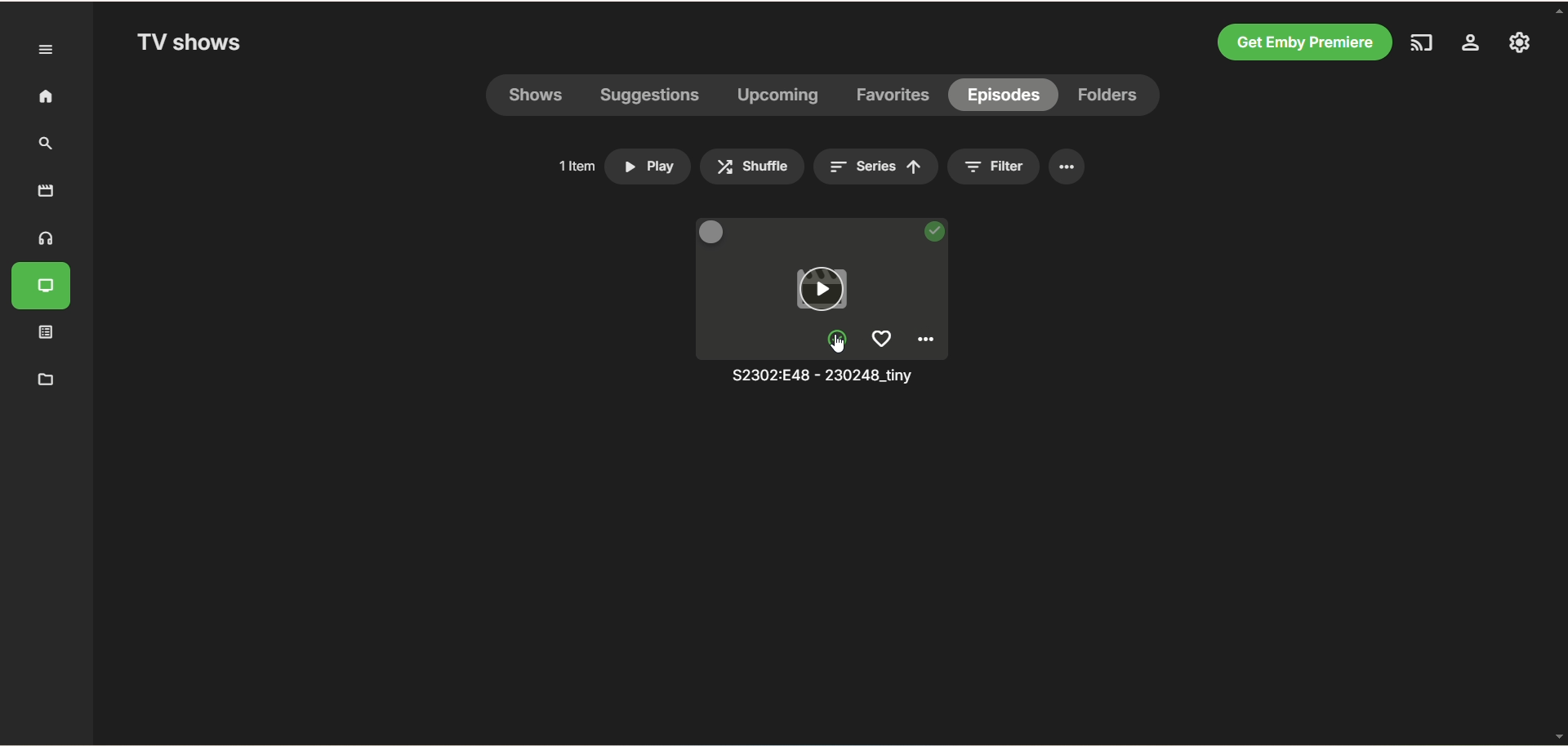 The image size is (1568, 746). I want to click on expand, so click(45, 49).